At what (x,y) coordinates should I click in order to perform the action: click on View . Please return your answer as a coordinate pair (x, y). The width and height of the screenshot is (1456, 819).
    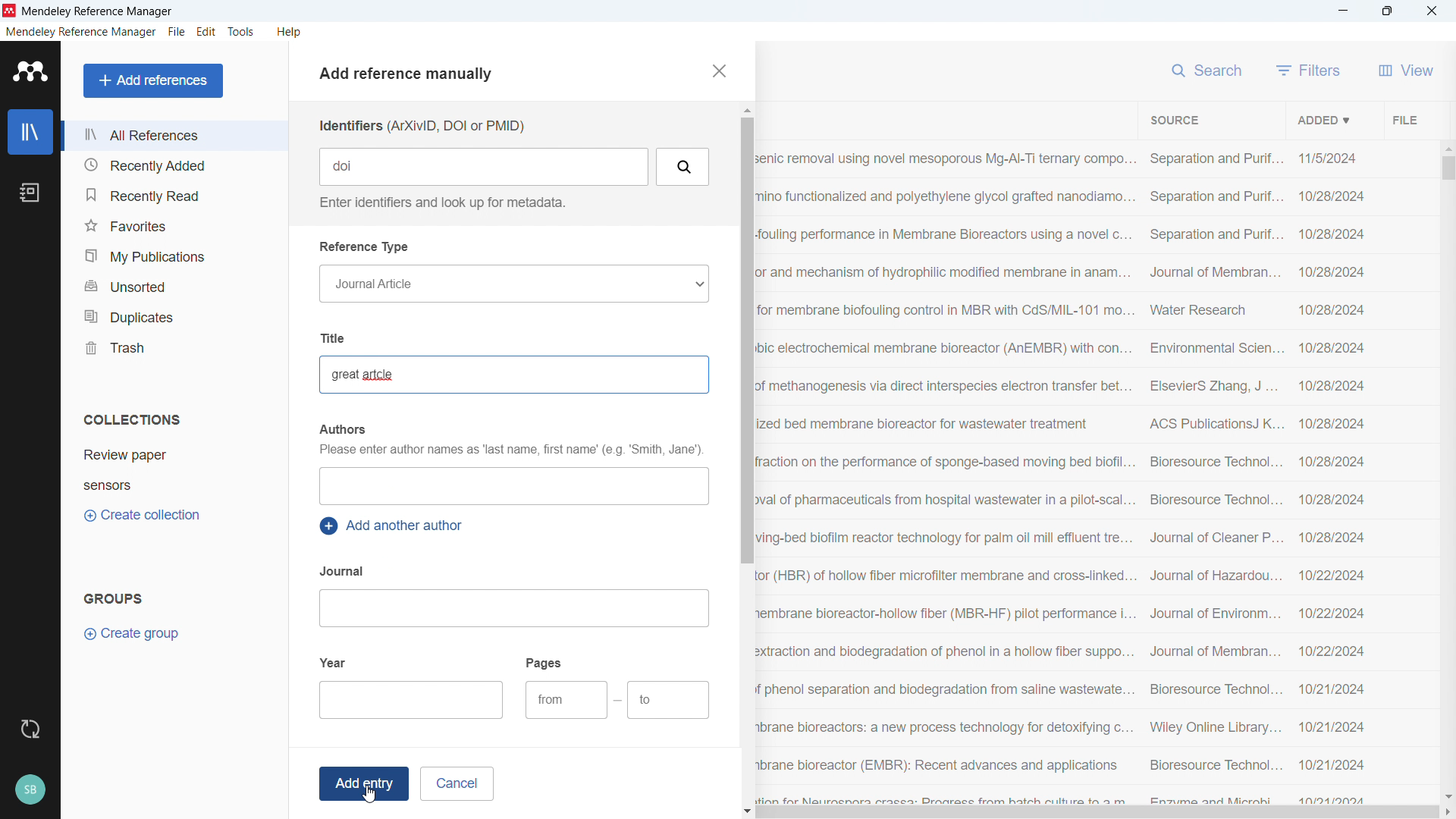
    Looking at the image, I should click on (1406, 70).